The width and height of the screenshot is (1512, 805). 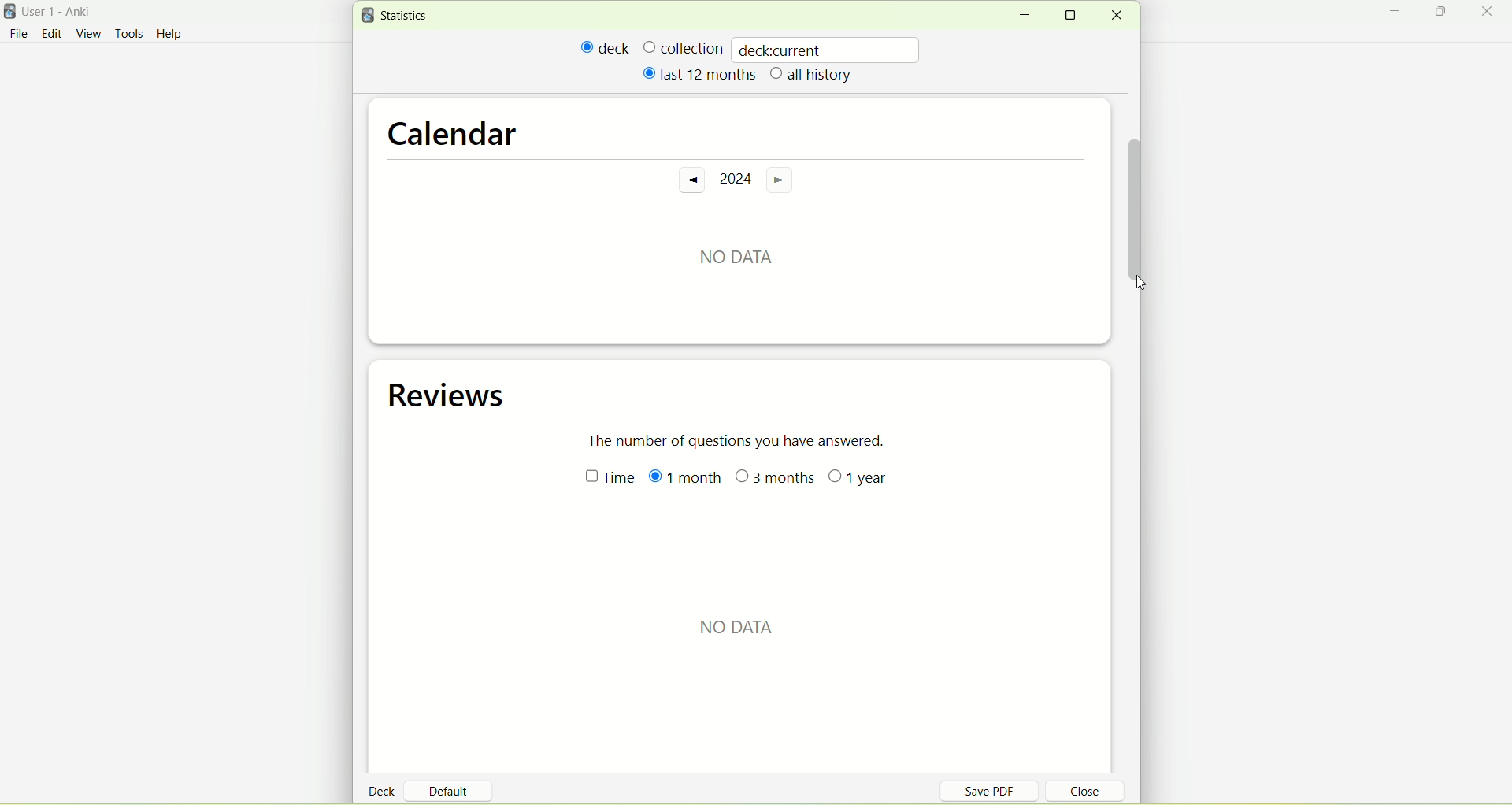 What do you see at coordinates (734, 180) in the screenshot?
I see `2024` at bounding box center [734, 180].